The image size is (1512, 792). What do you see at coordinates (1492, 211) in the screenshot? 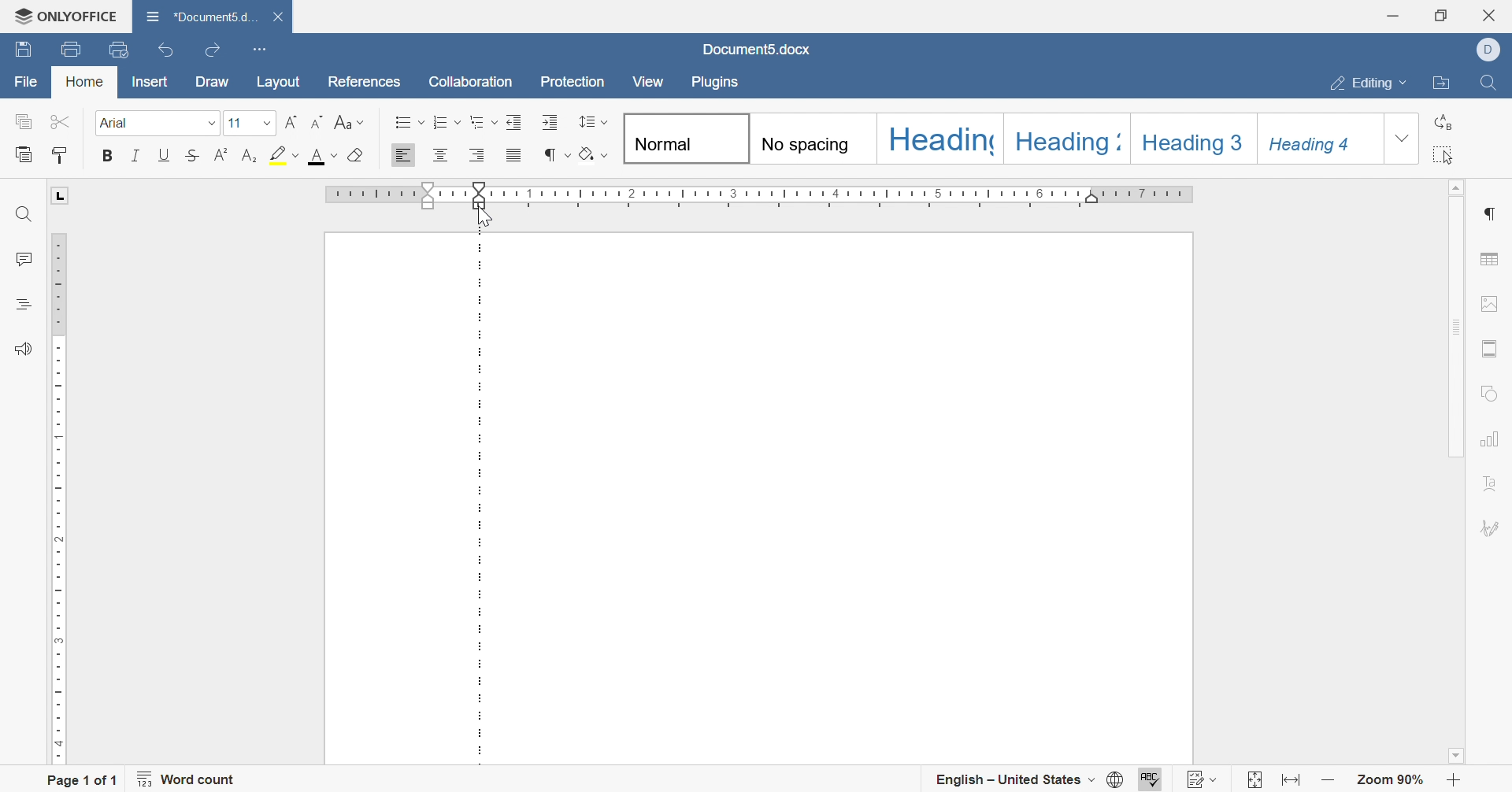
I see `paragraph settings` at bounding box center [1492, 211].